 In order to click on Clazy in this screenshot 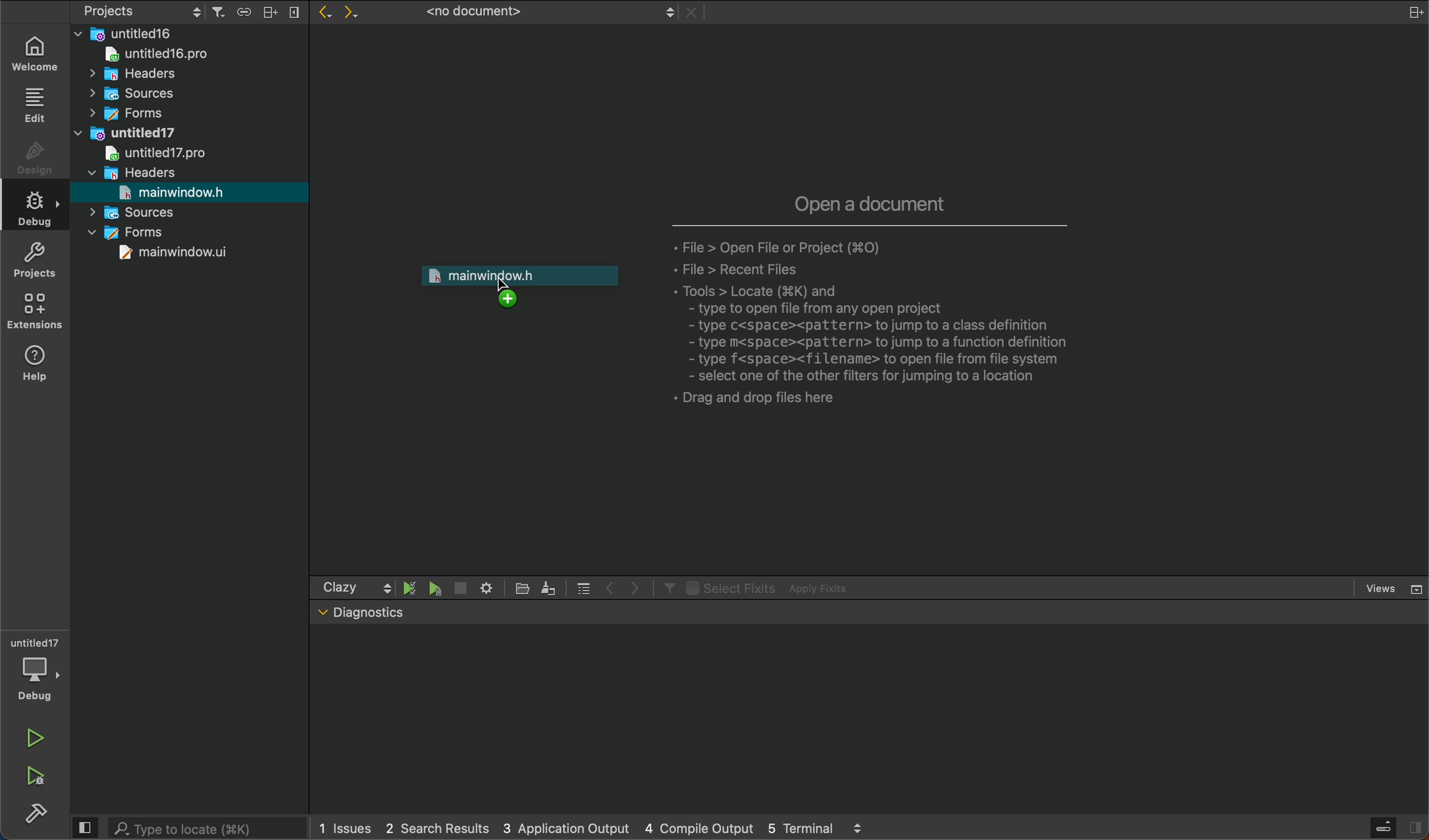, I will do `click(340, 587)`.